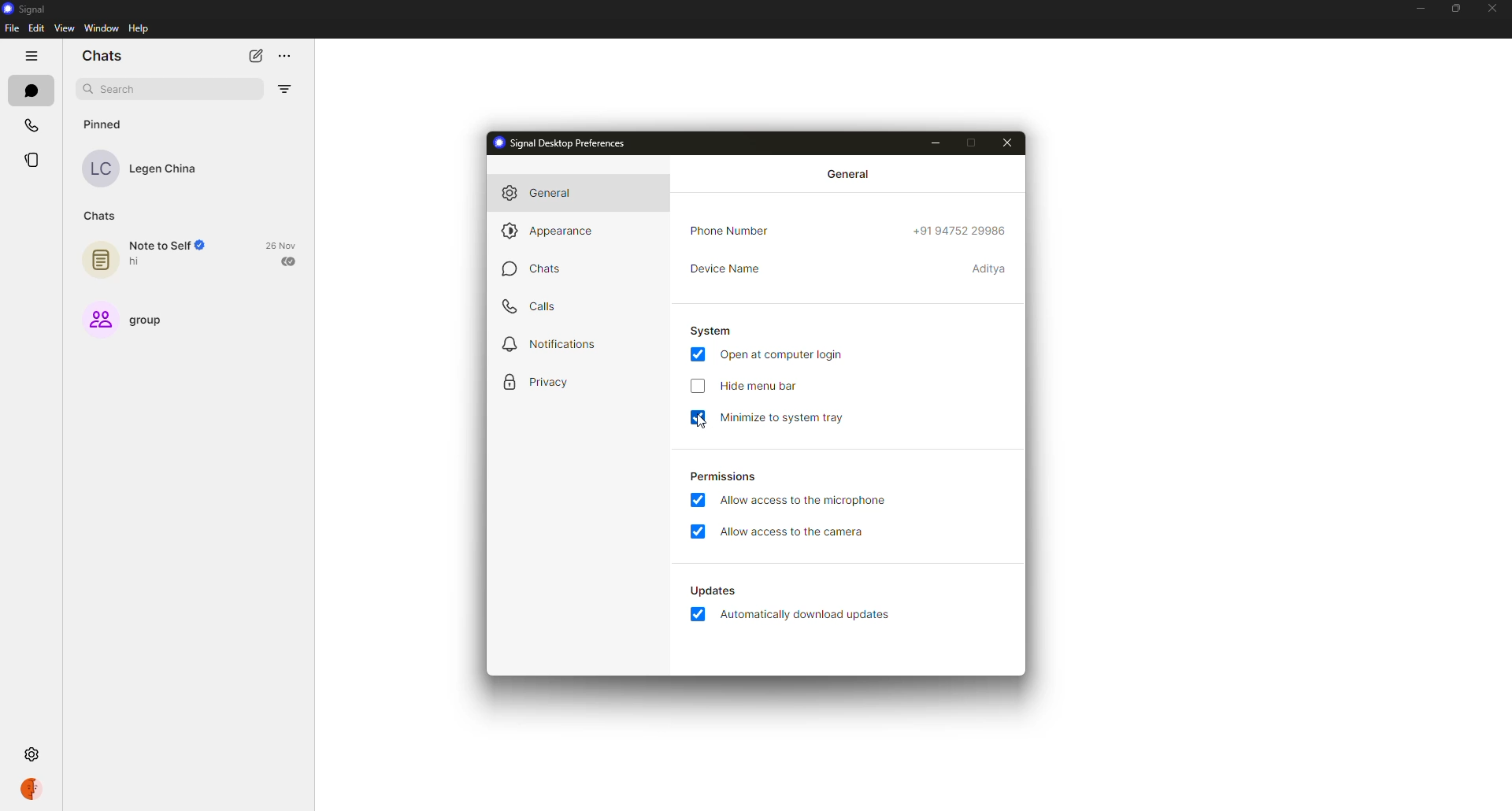  What do you see at coordinates (976, 143) in the screenshot?
I see `maximize` at bounding box center [976, 143].